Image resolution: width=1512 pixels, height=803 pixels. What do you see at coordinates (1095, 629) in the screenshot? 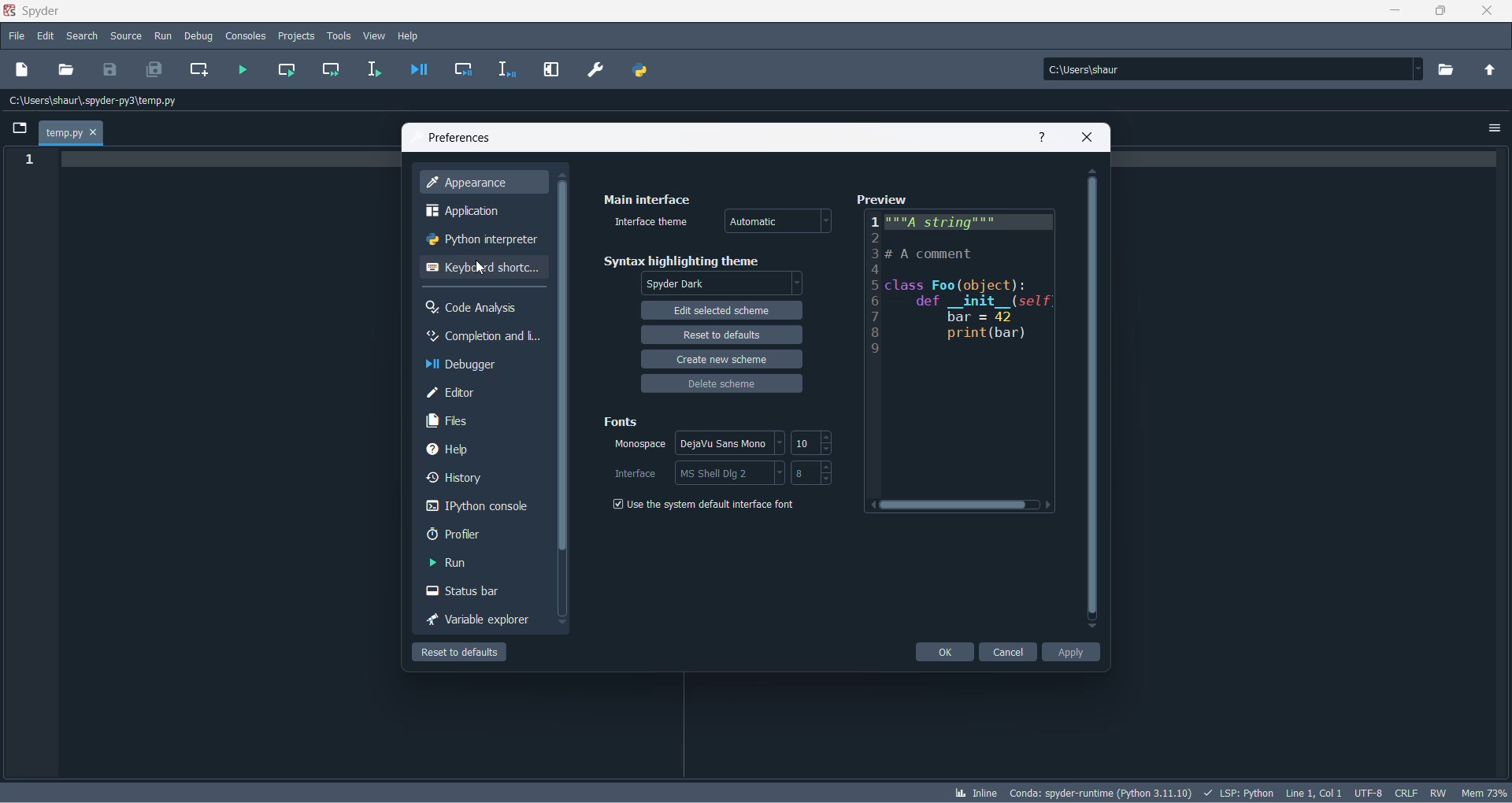
I see `move down` at bounding box center [1095, 629].